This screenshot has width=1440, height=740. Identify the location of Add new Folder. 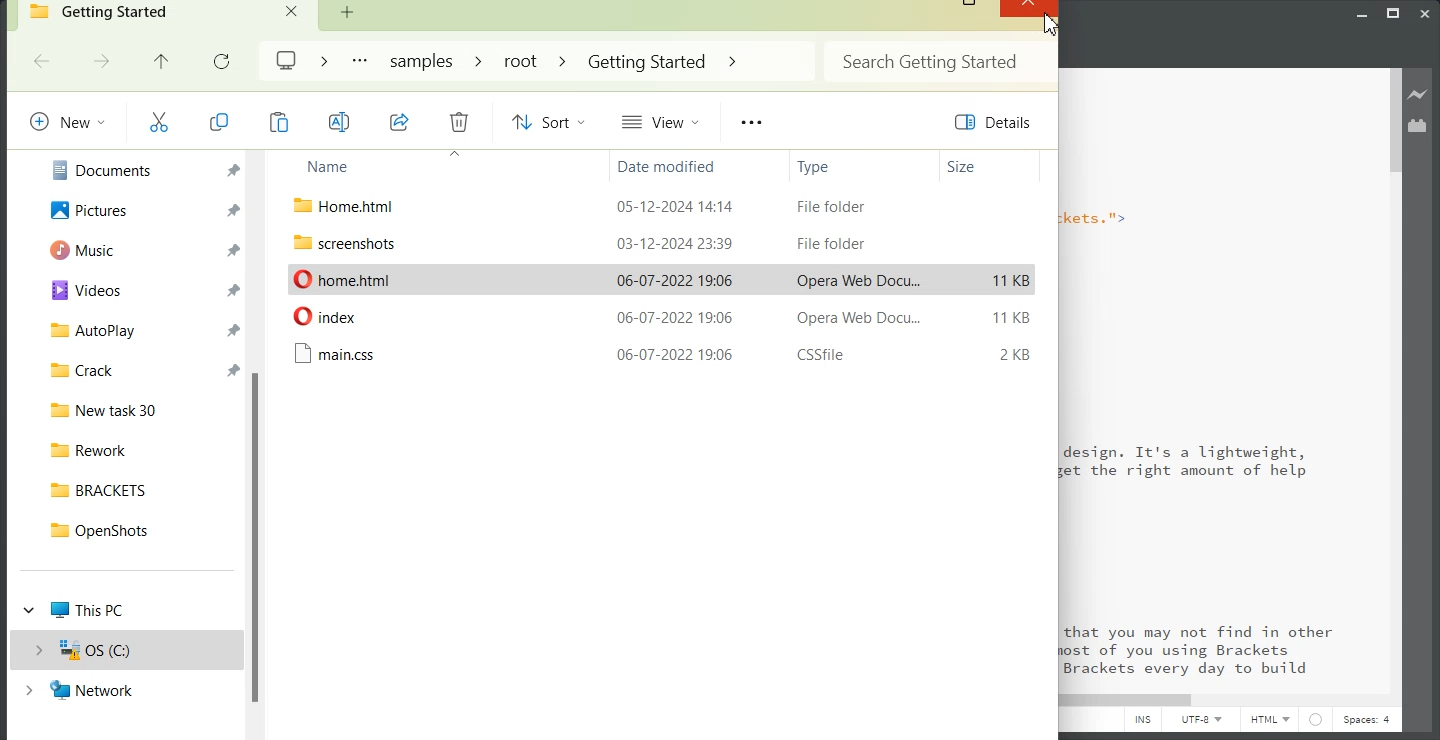
(347, 12).